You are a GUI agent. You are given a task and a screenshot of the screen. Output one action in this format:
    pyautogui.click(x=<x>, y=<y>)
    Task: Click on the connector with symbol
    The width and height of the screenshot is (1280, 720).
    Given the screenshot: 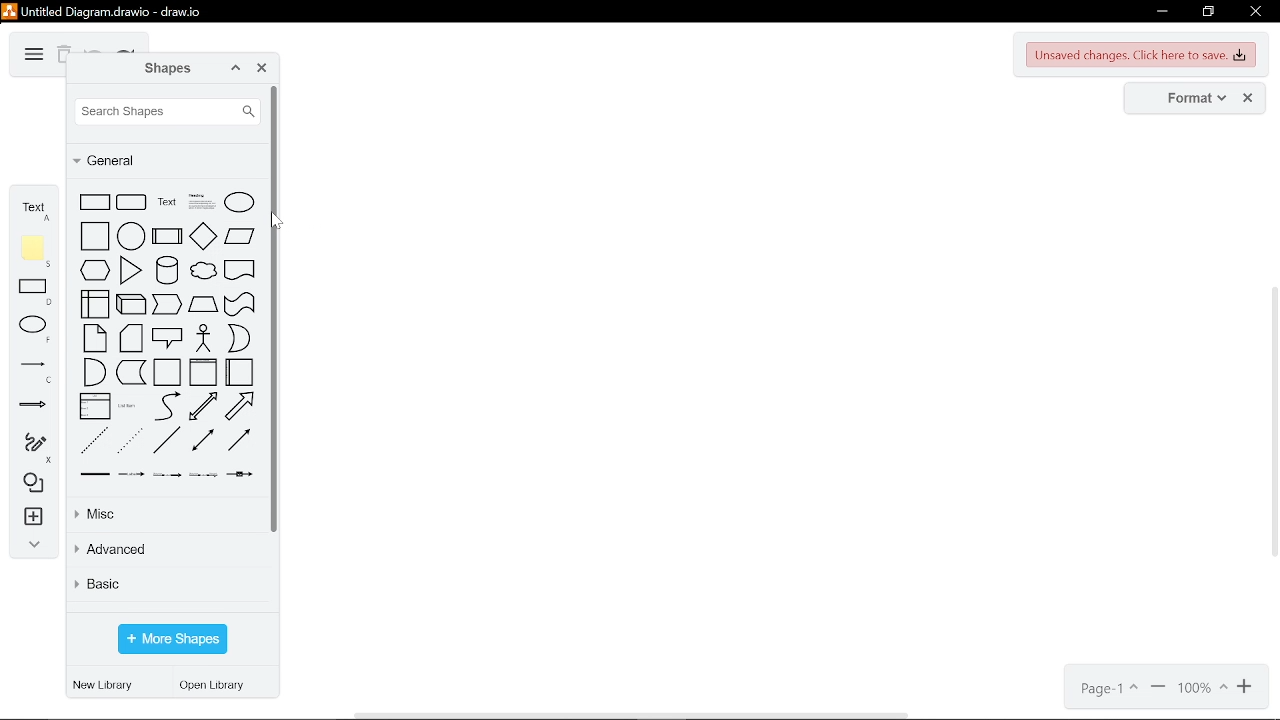 What is the action you would take?
    pyautogui.click(x=239, y=474)
    